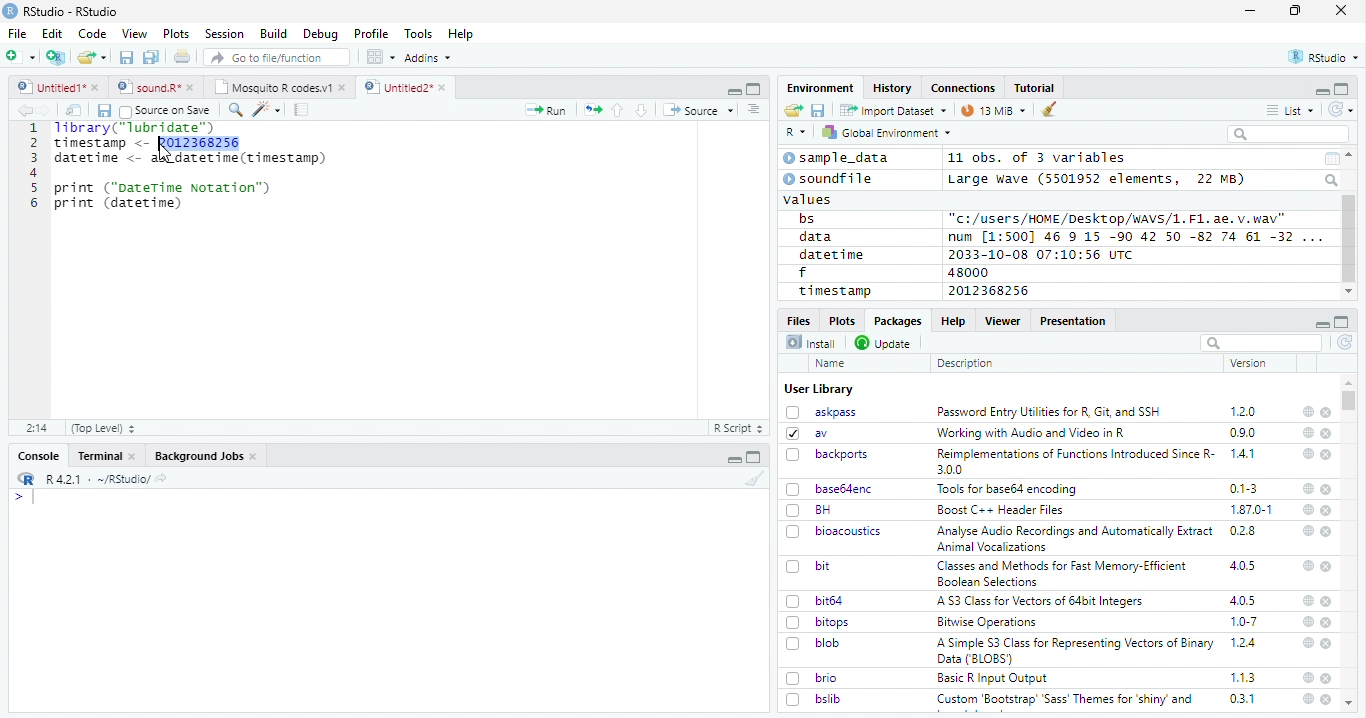 The width and height of the screenshot is (1366, 718). I want to click on f, so click(803, 273).